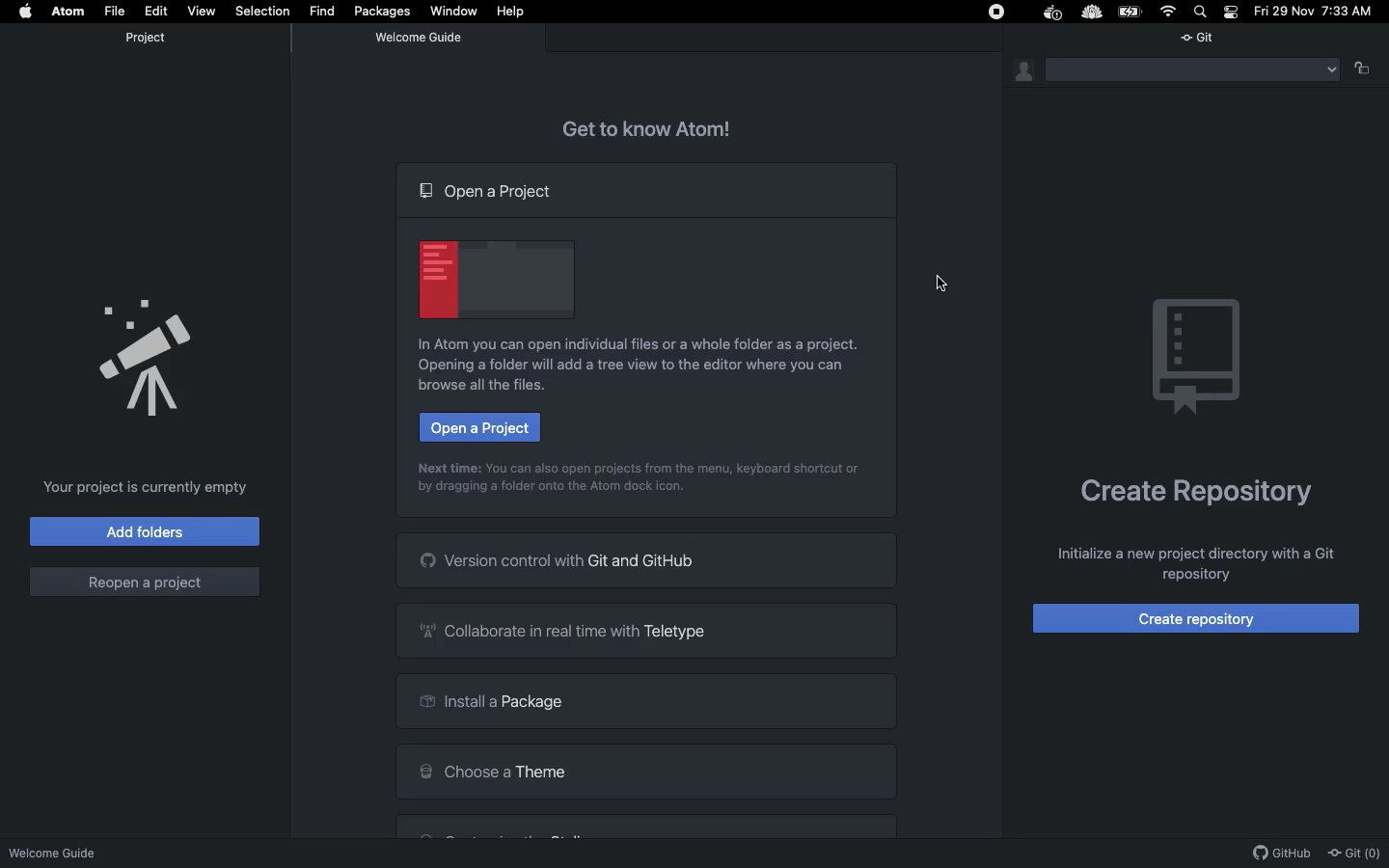  I want to click on Window, so click(456, 12).